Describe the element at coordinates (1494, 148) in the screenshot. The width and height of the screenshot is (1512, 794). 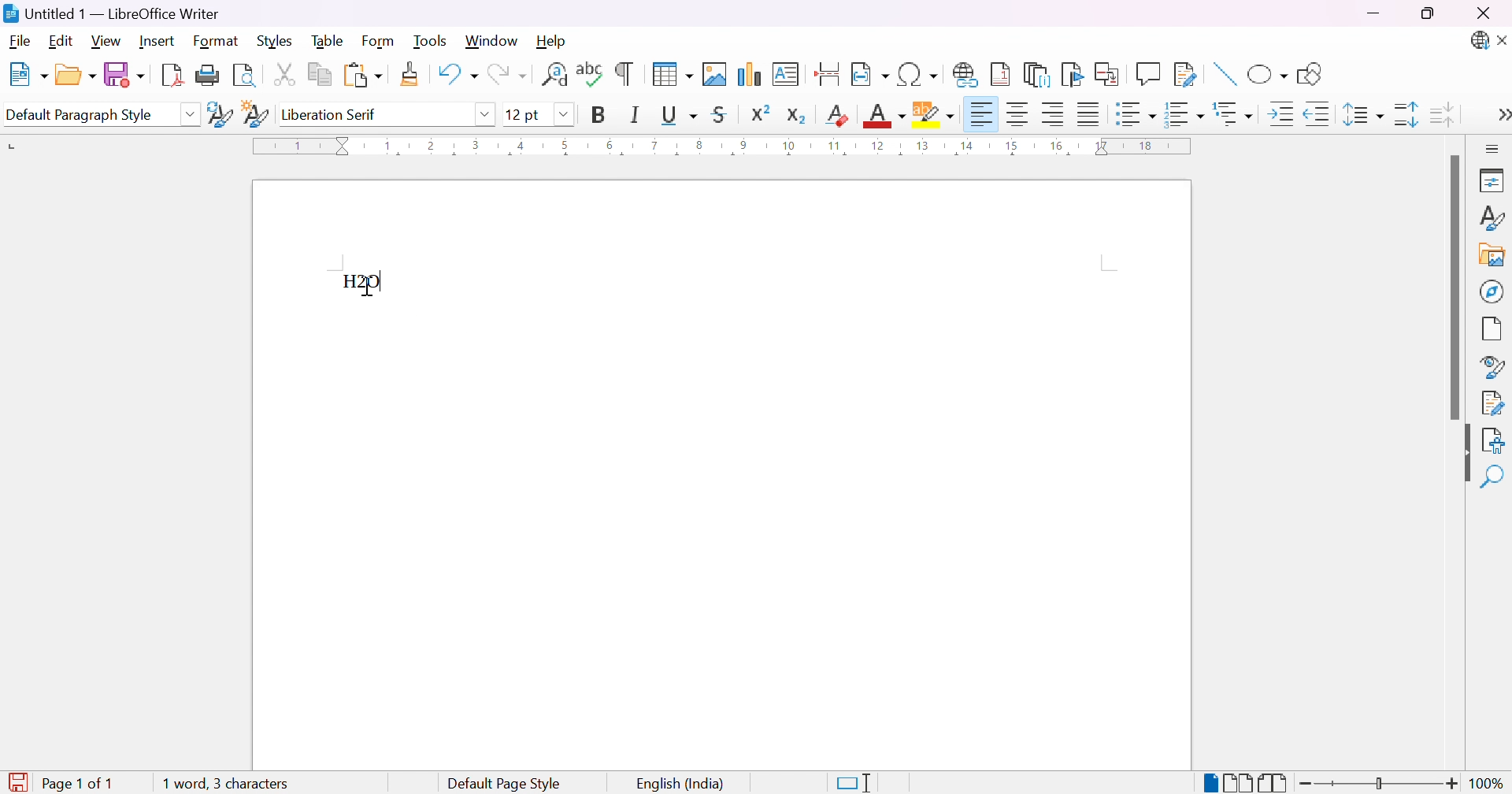
I see `Sidebar settings` at that location.